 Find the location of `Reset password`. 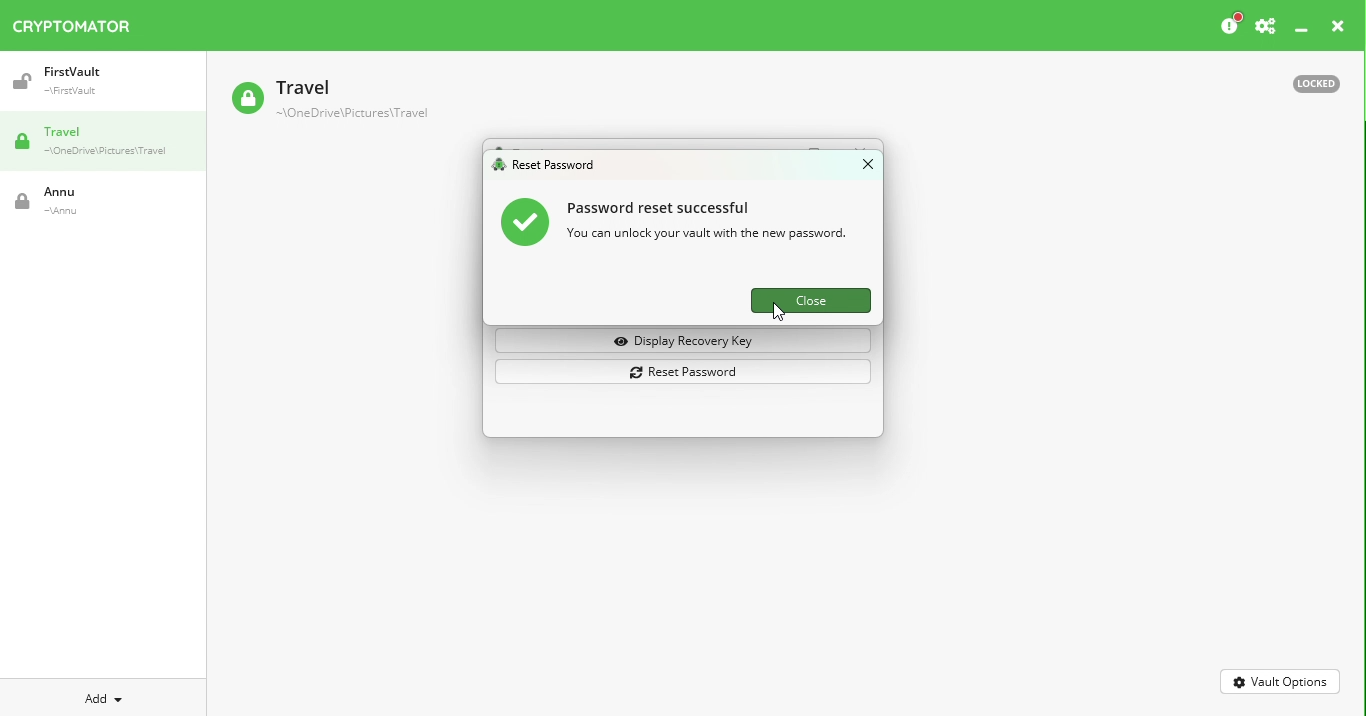

Reset password is located at coordinates (687, 373).